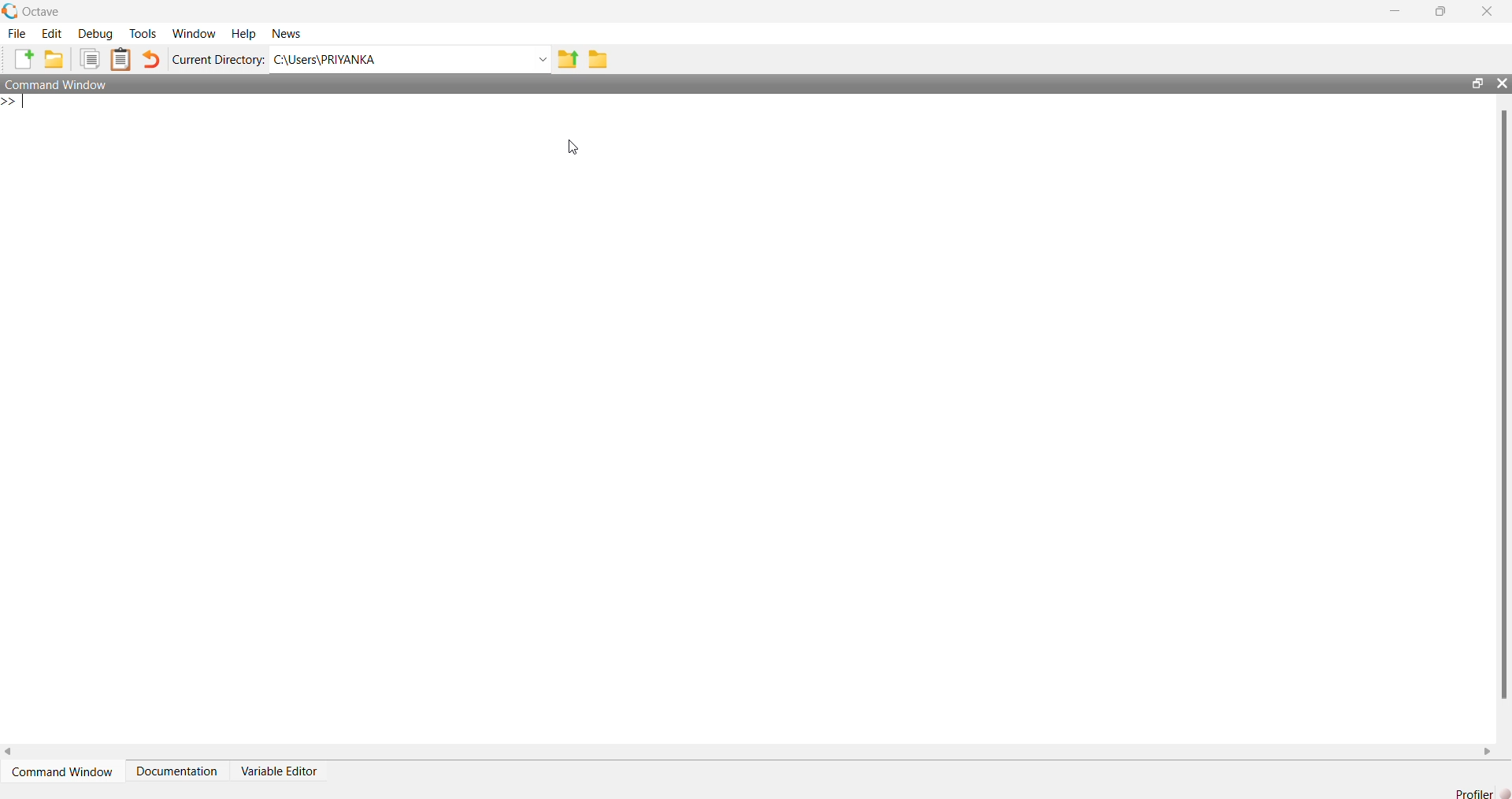 This screenshot has height=799, width=1512. Describe the element at coordinates (22, 59) in the screenshot. I see `New script` at that location.